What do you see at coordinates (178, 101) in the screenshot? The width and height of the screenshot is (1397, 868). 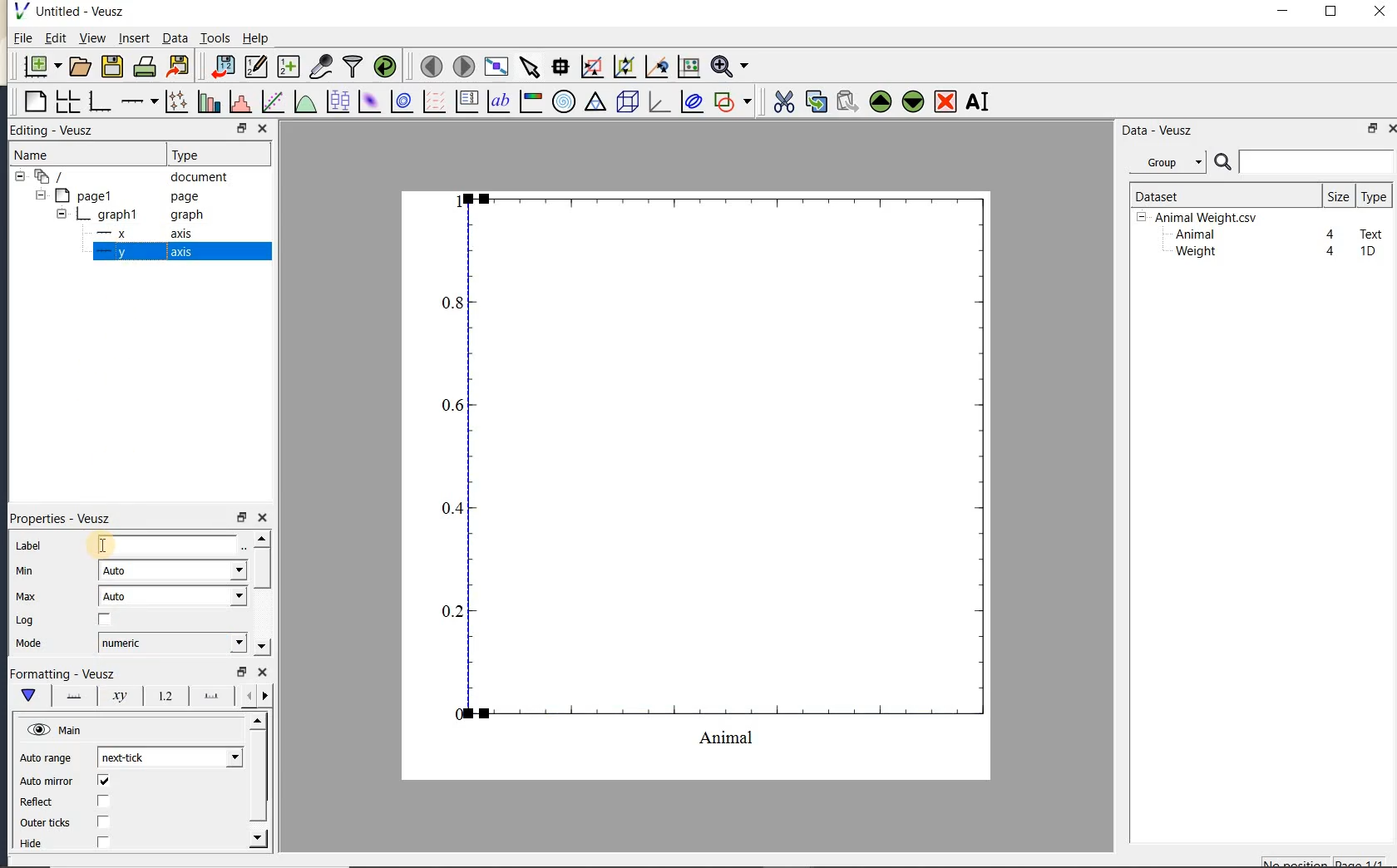 I see `plot points with lines and errorbars` at bounding box center [178, 101].